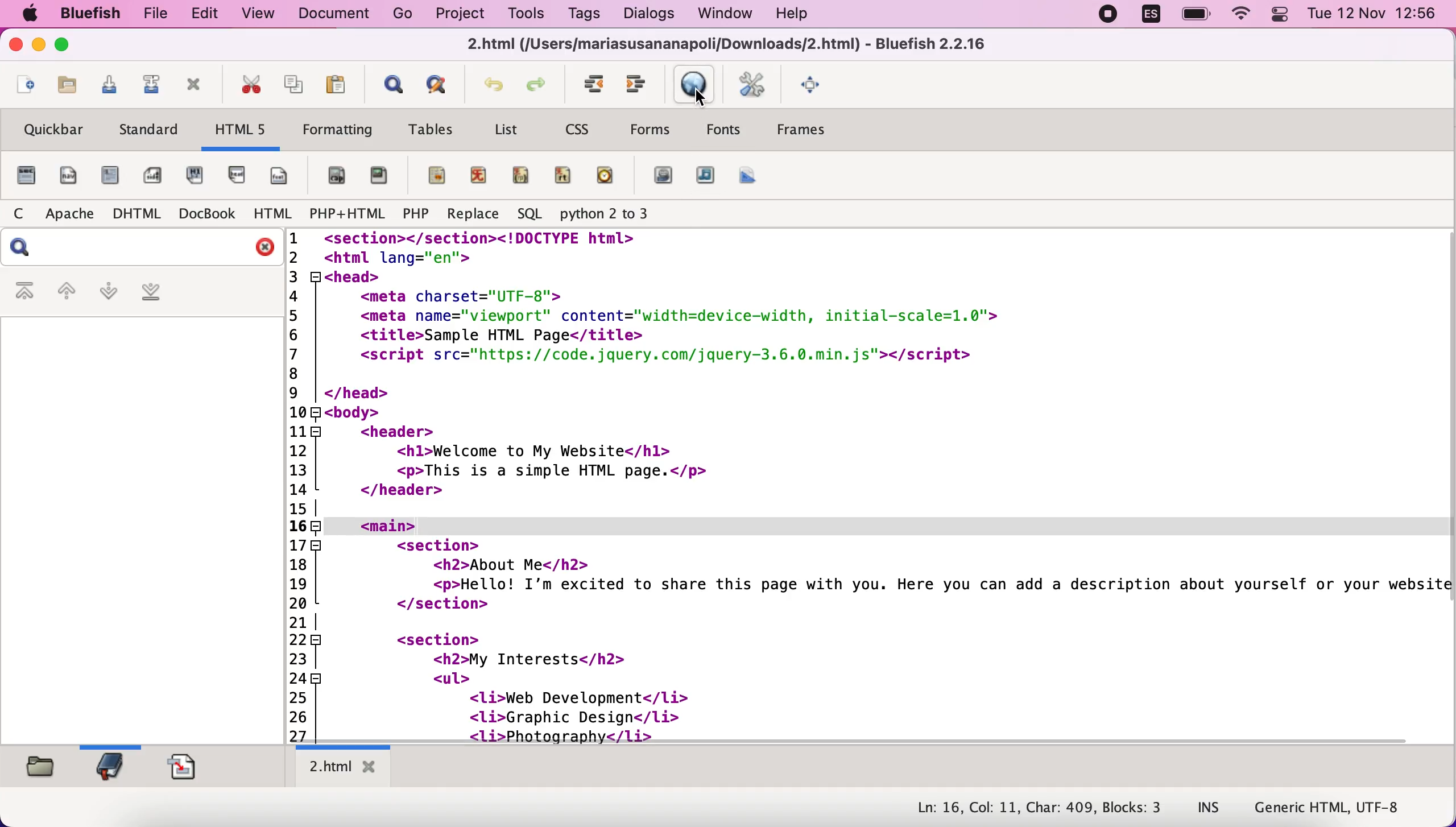 Image resolution: width=1456 pixels, height=827 pixels. Describe the element at coordinates (1370, 17) in the screenshot. I see `Tue 12 Nov 12:56` at that location.